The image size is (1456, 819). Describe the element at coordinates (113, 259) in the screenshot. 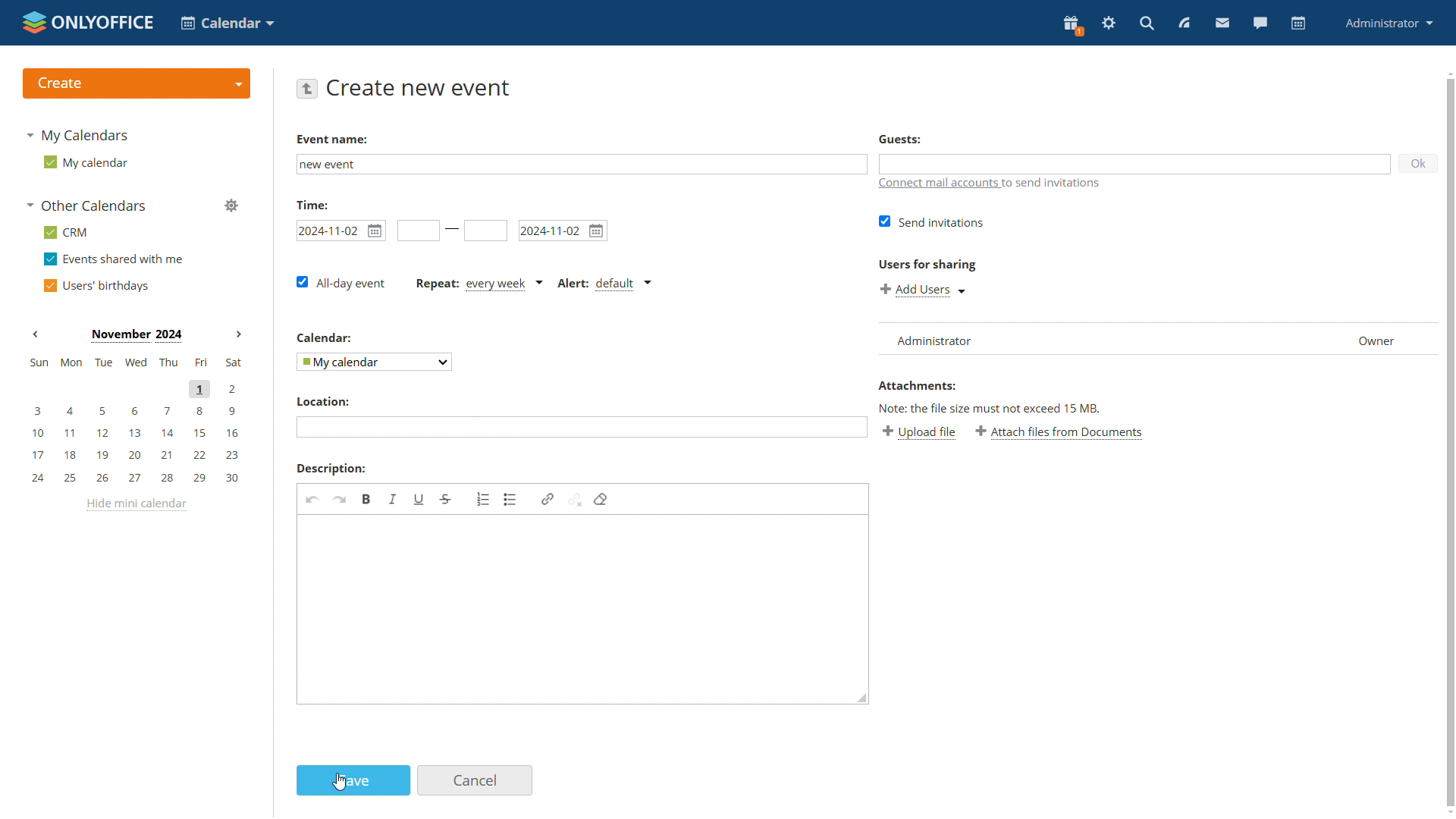

I see `events shared with me` at that location.